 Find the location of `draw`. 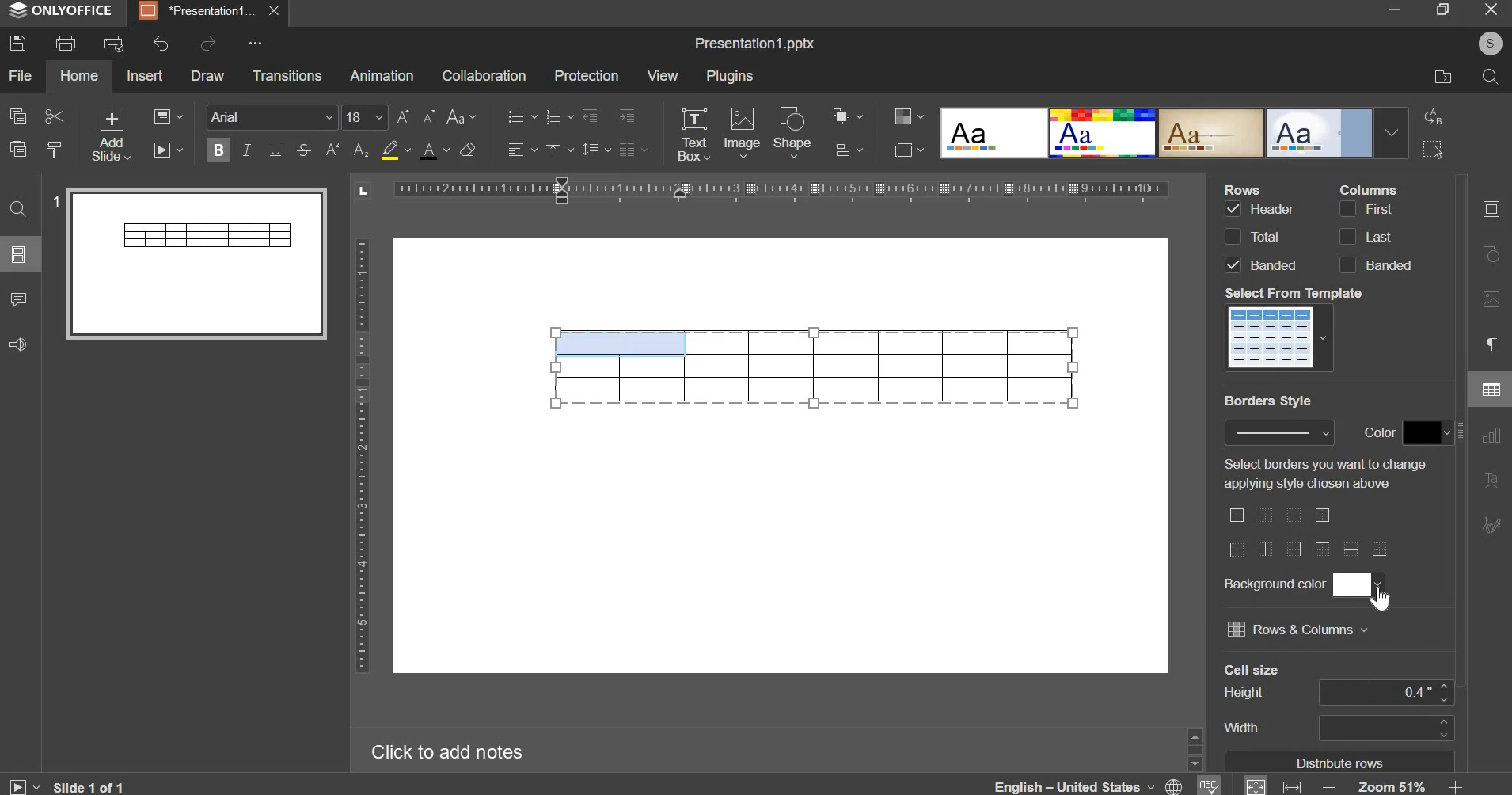

draw is located at coordinates (208, 75).